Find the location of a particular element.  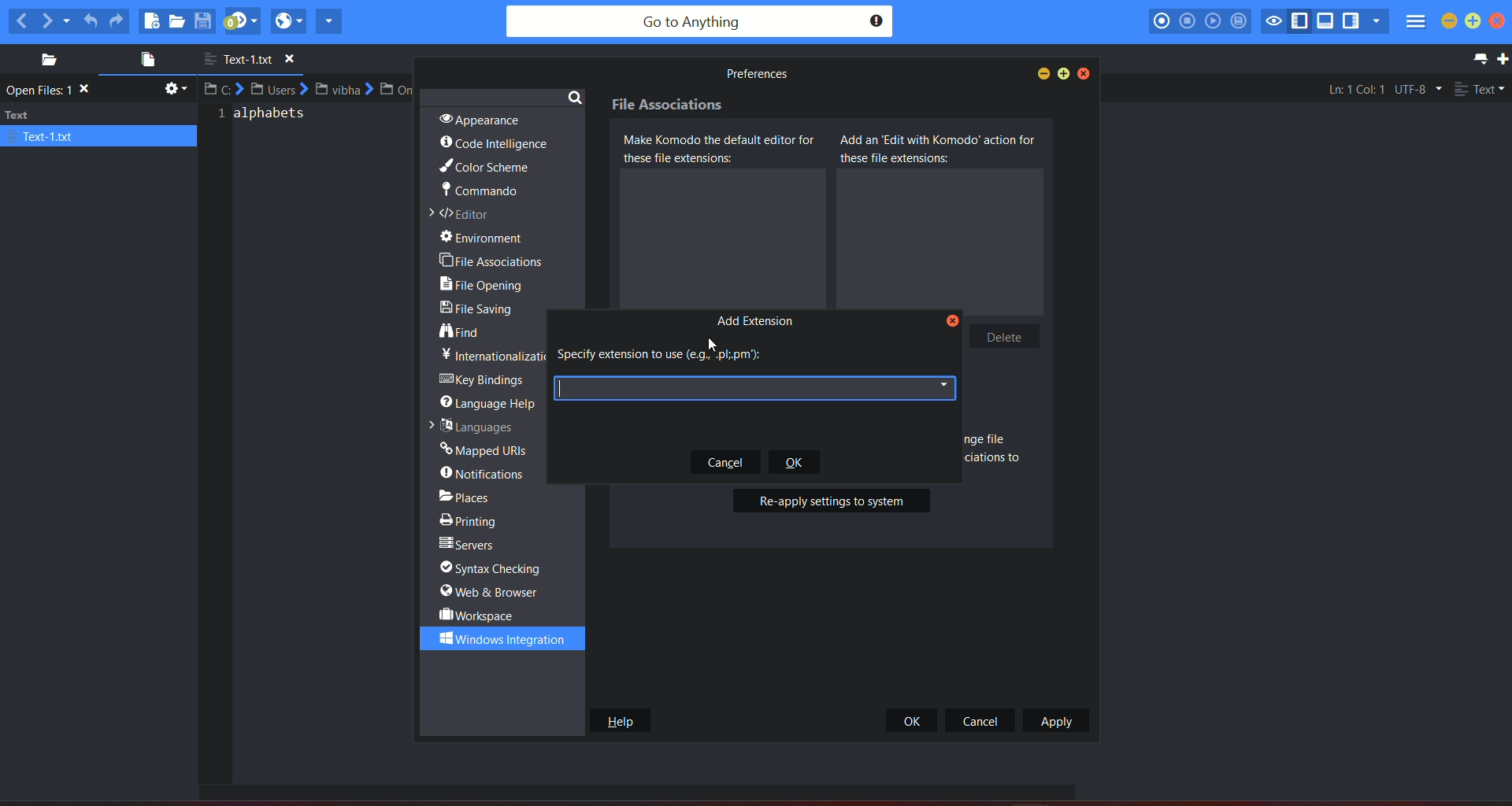

close is located at coordinates (950, 319).